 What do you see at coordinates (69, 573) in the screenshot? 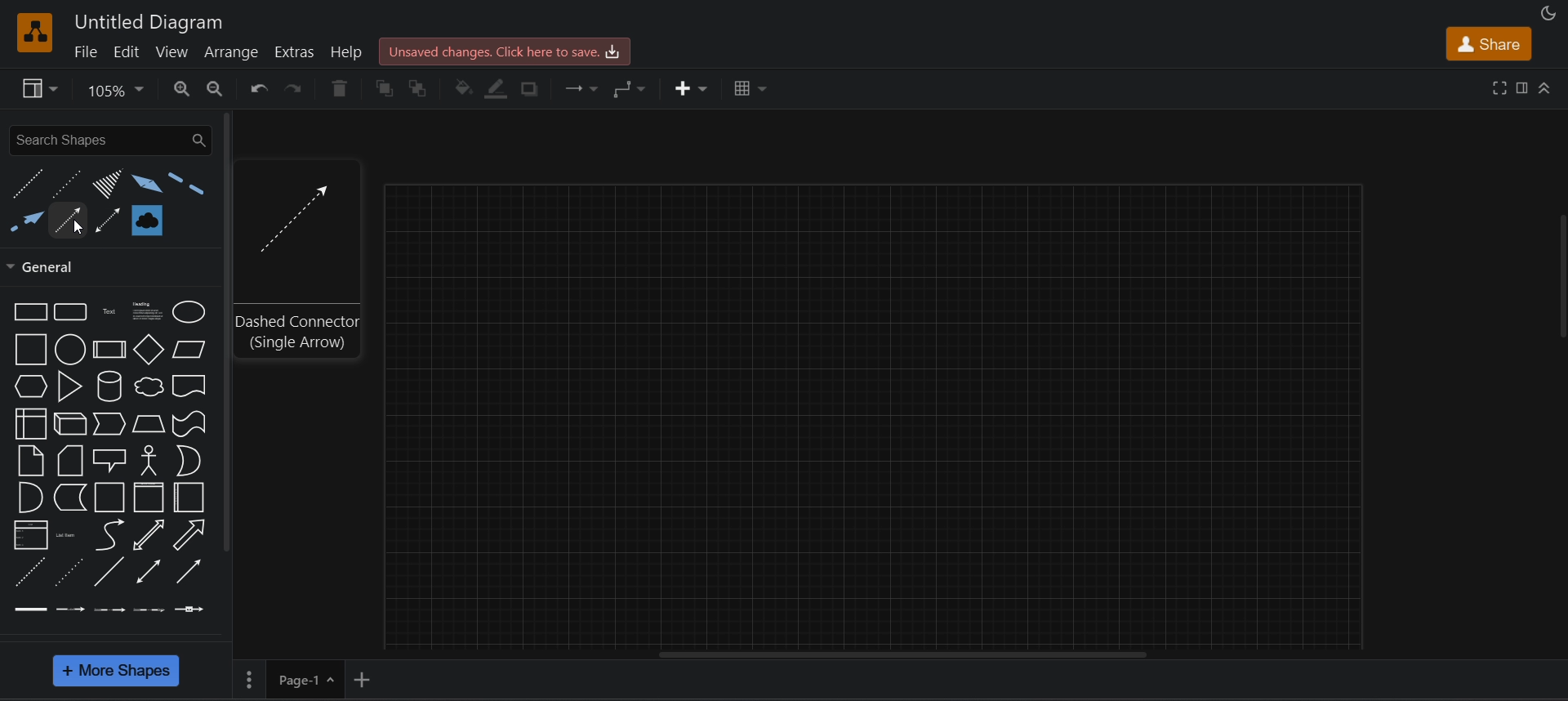
I see `dotted line` at bounding box center [69, 573].